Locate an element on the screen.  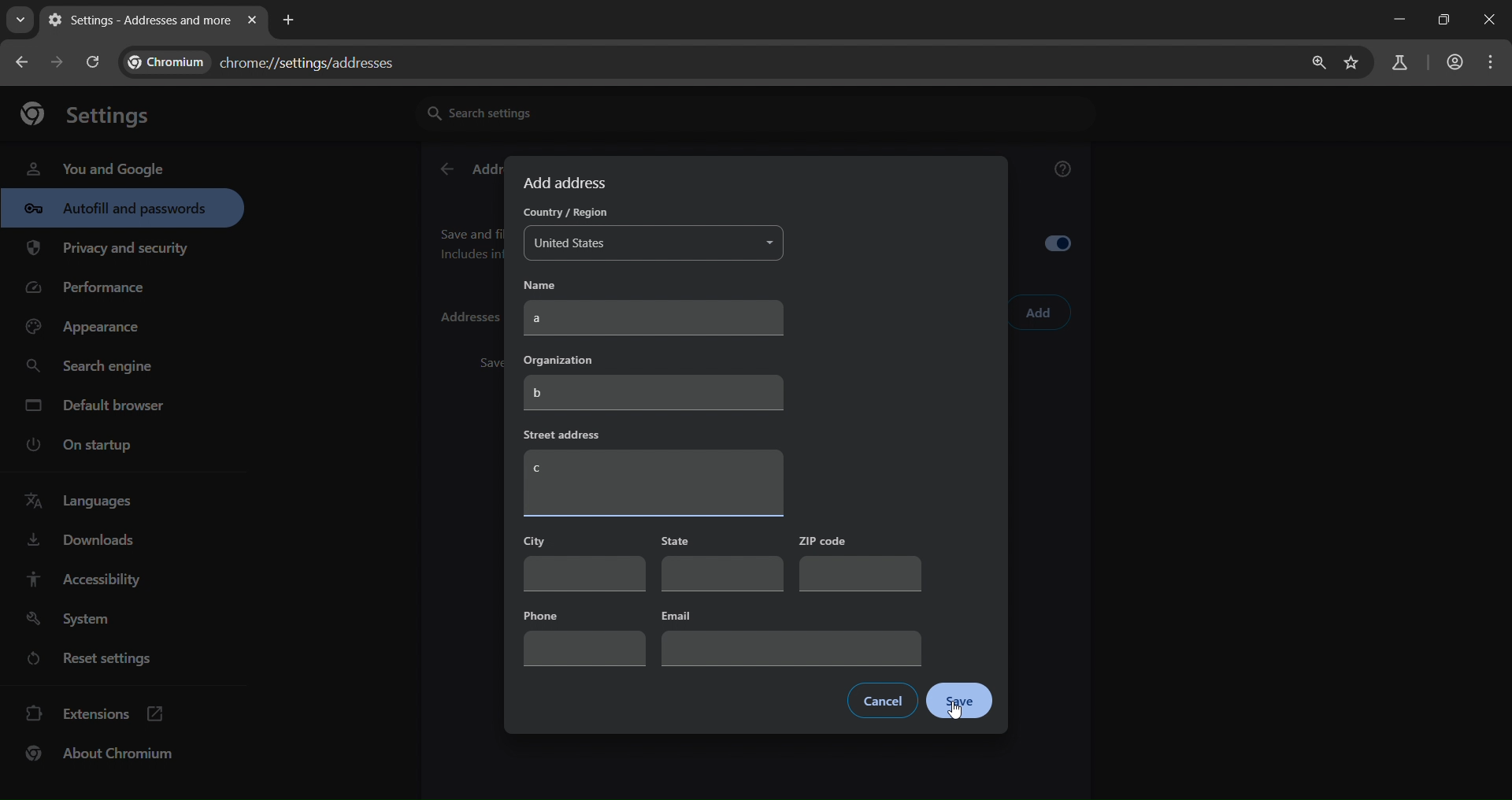
get help is located at coordinates (1064, 172).